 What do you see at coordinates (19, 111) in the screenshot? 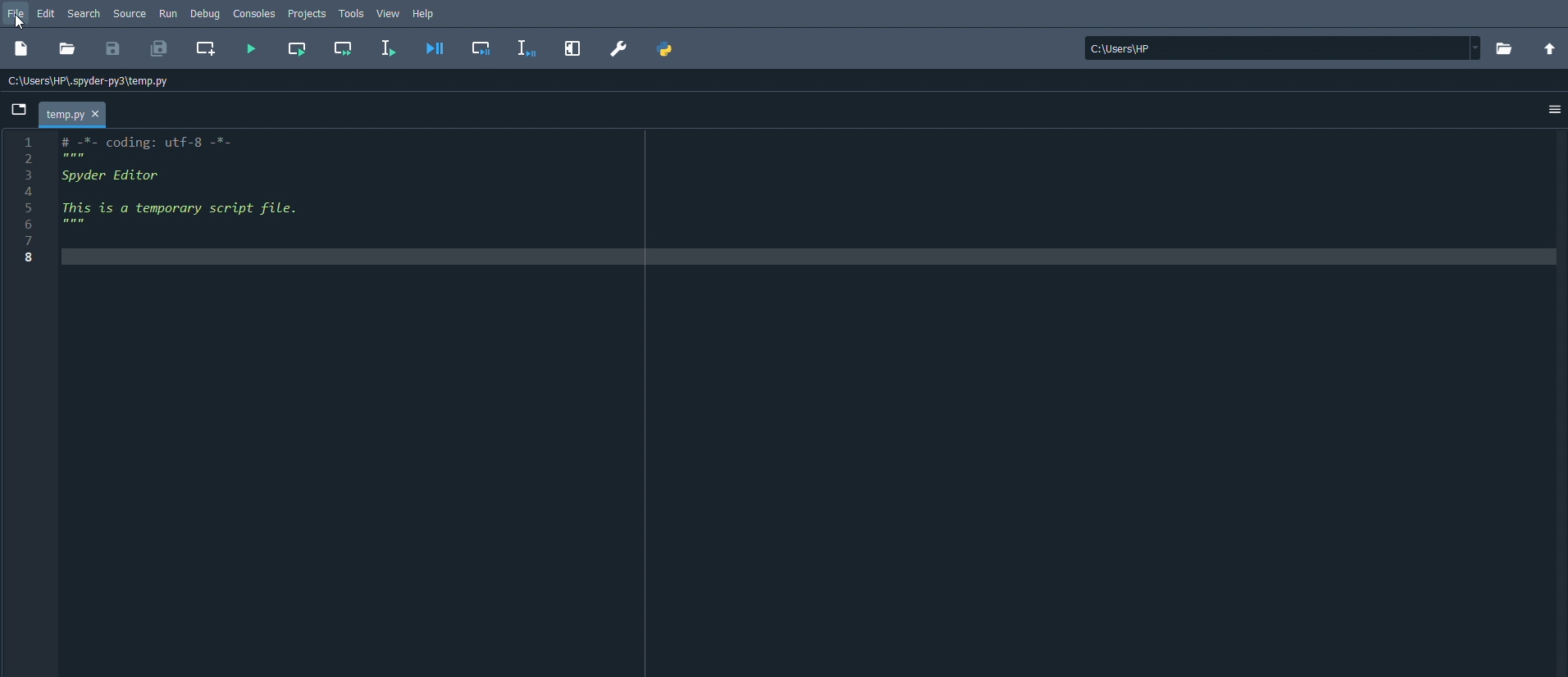
I see `Browse tabs` at bounding box center [19, 111].